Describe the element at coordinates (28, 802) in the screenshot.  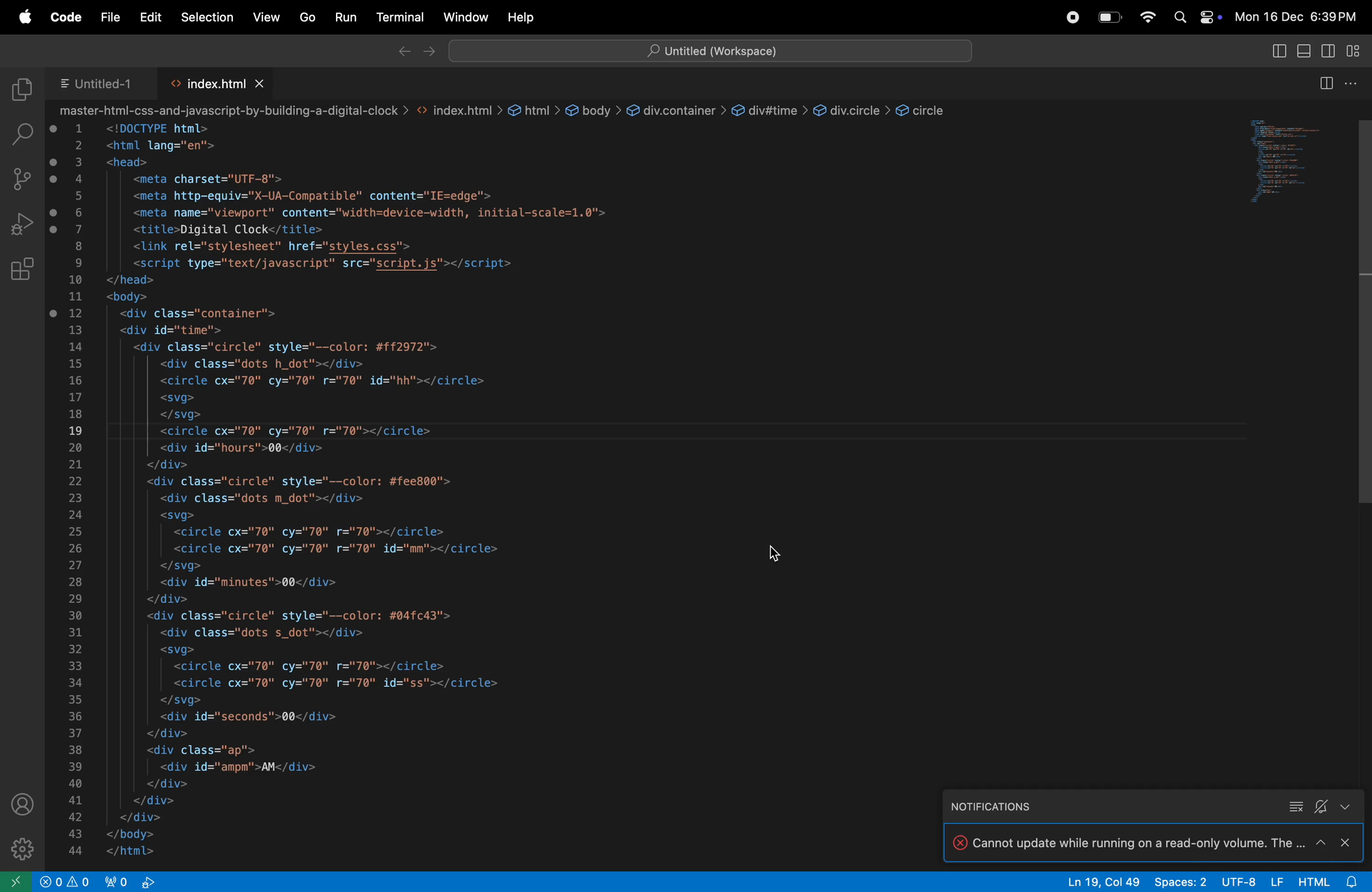
I see `profile` at that location.